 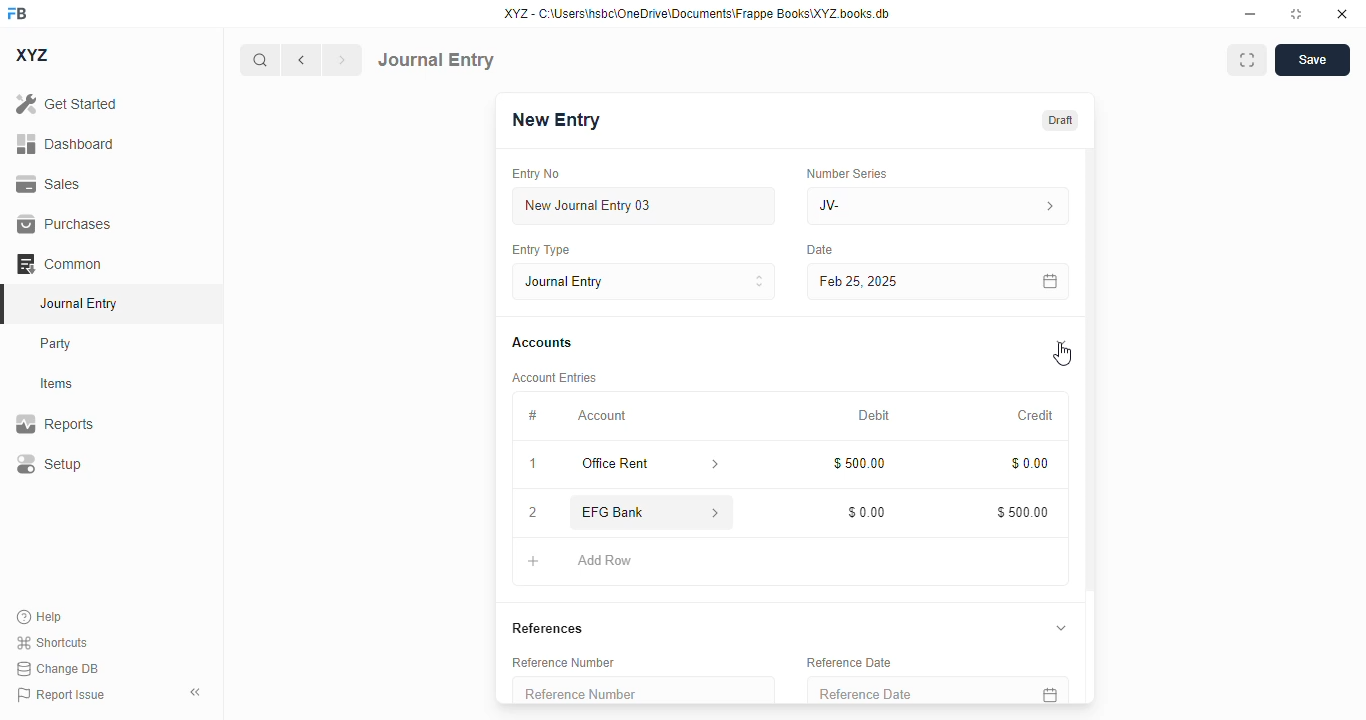 I want to click on reference data, so click(x=849, y=663).